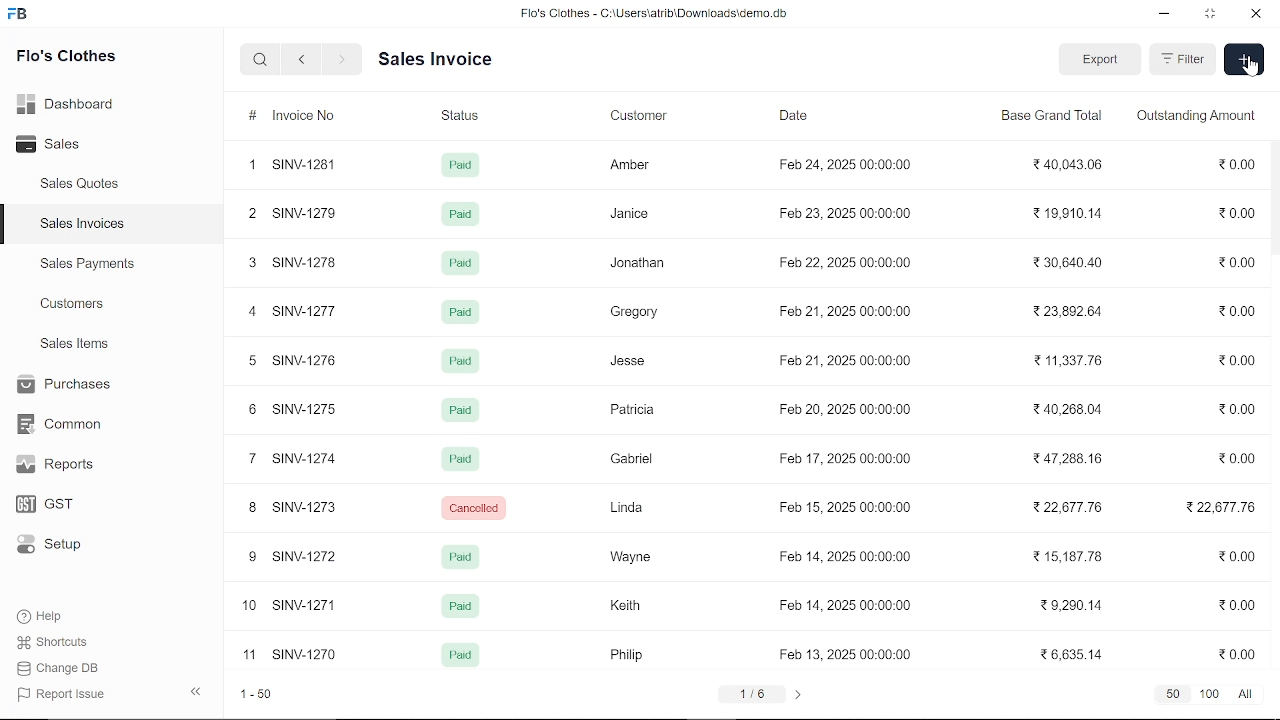  I want to click on Invoice No, so click(296, 116).